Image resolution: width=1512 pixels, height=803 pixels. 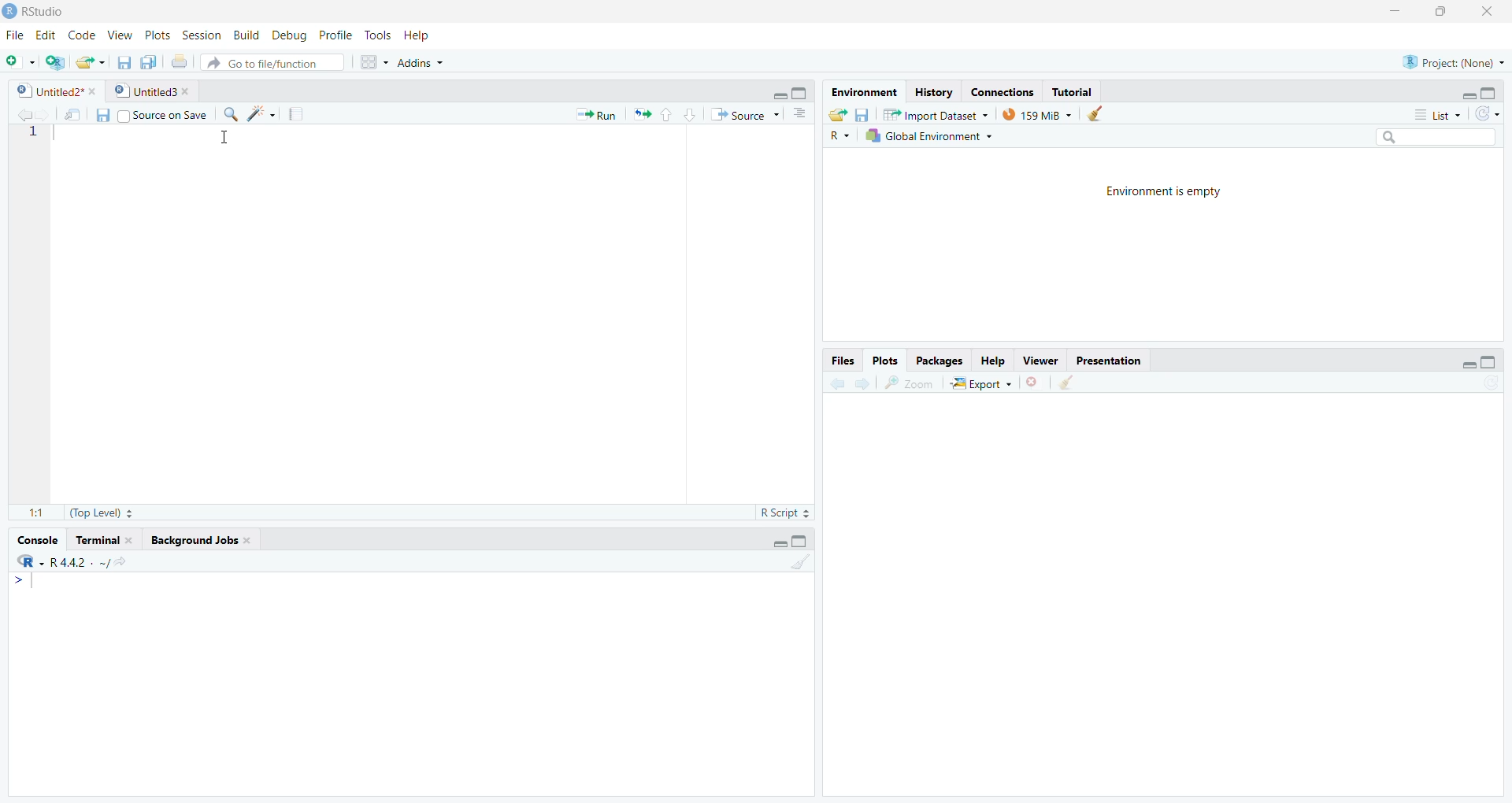 I want to click on List, so click(x=1435, y=113).